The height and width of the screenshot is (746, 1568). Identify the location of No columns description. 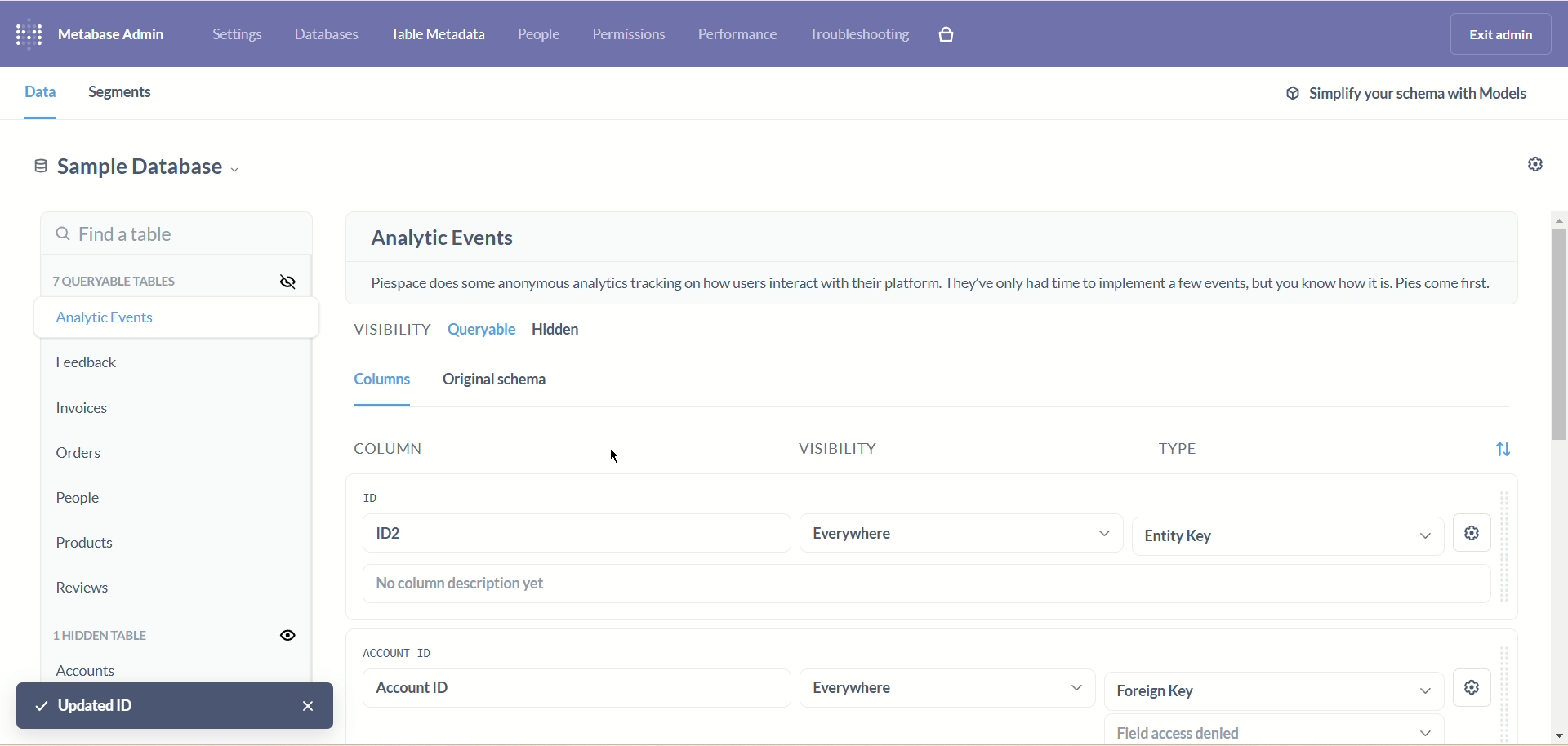
(927, 585).